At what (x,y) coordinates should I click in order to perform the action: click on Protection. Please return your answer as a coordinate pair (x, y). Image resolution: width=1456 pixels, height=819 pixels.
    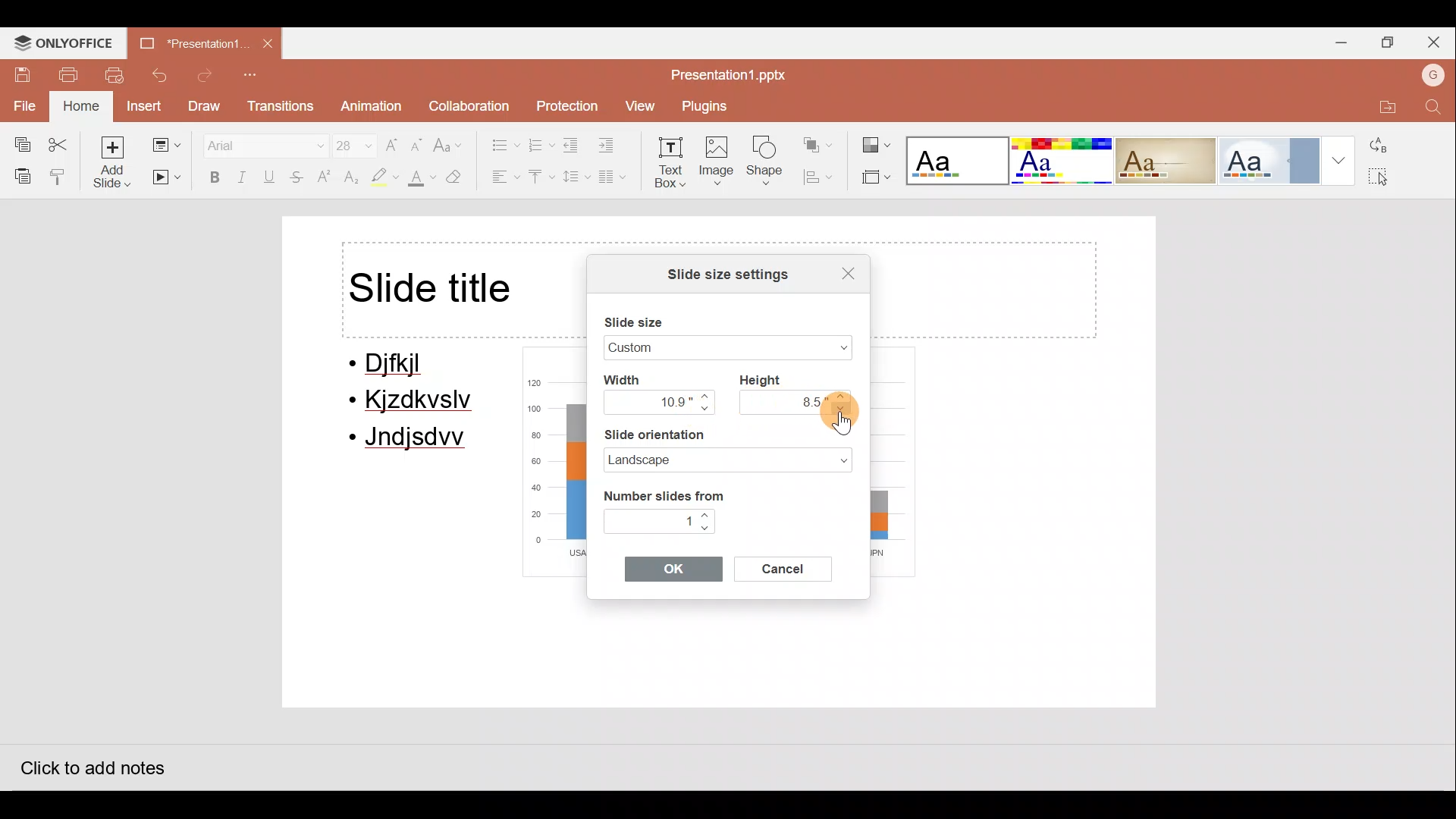
    Looking at the image, I should click on (564, 101).